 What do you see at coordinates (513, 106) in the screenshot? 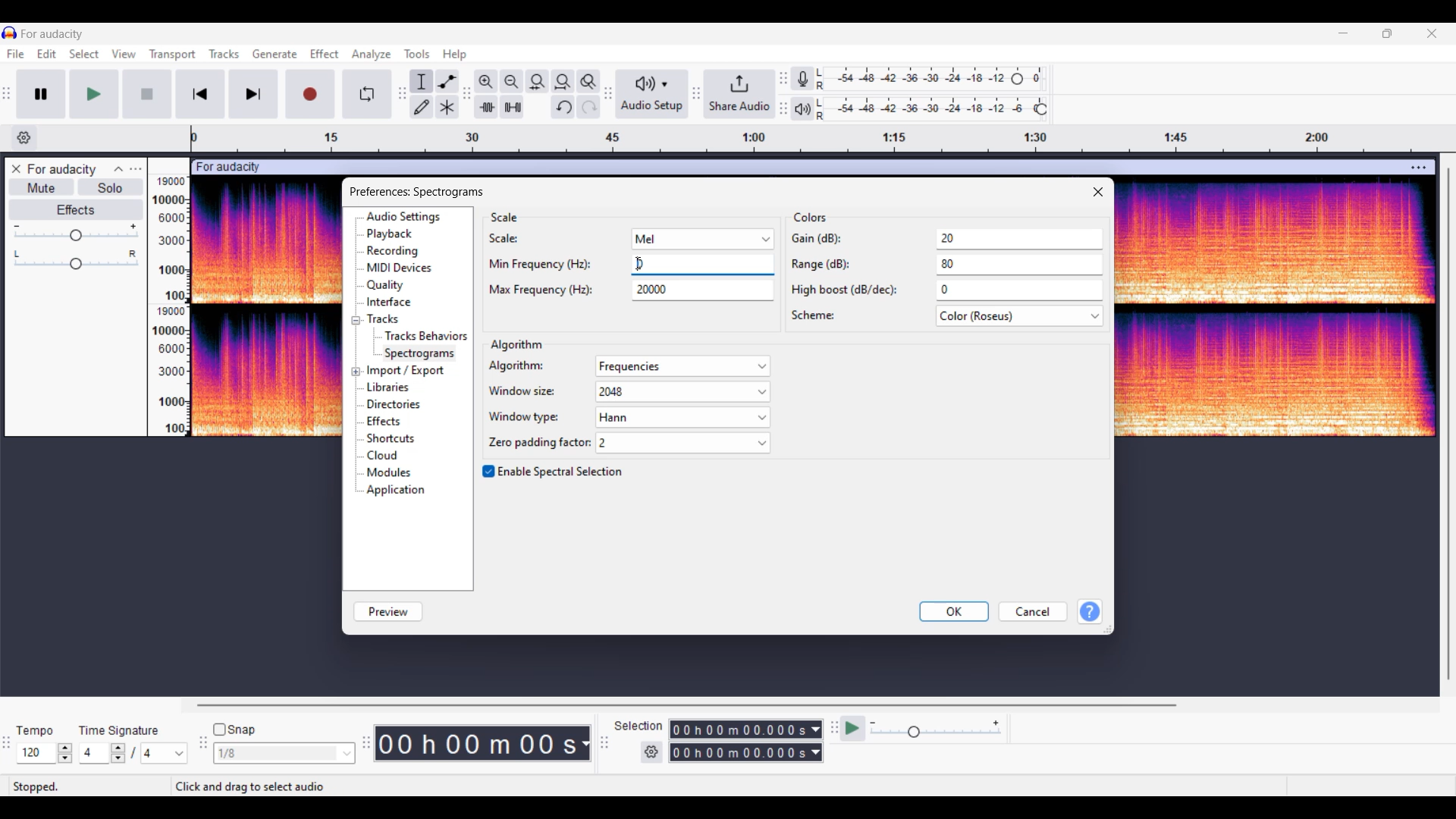
I see `Silence audio selectio` at bounding box center [513, 106].